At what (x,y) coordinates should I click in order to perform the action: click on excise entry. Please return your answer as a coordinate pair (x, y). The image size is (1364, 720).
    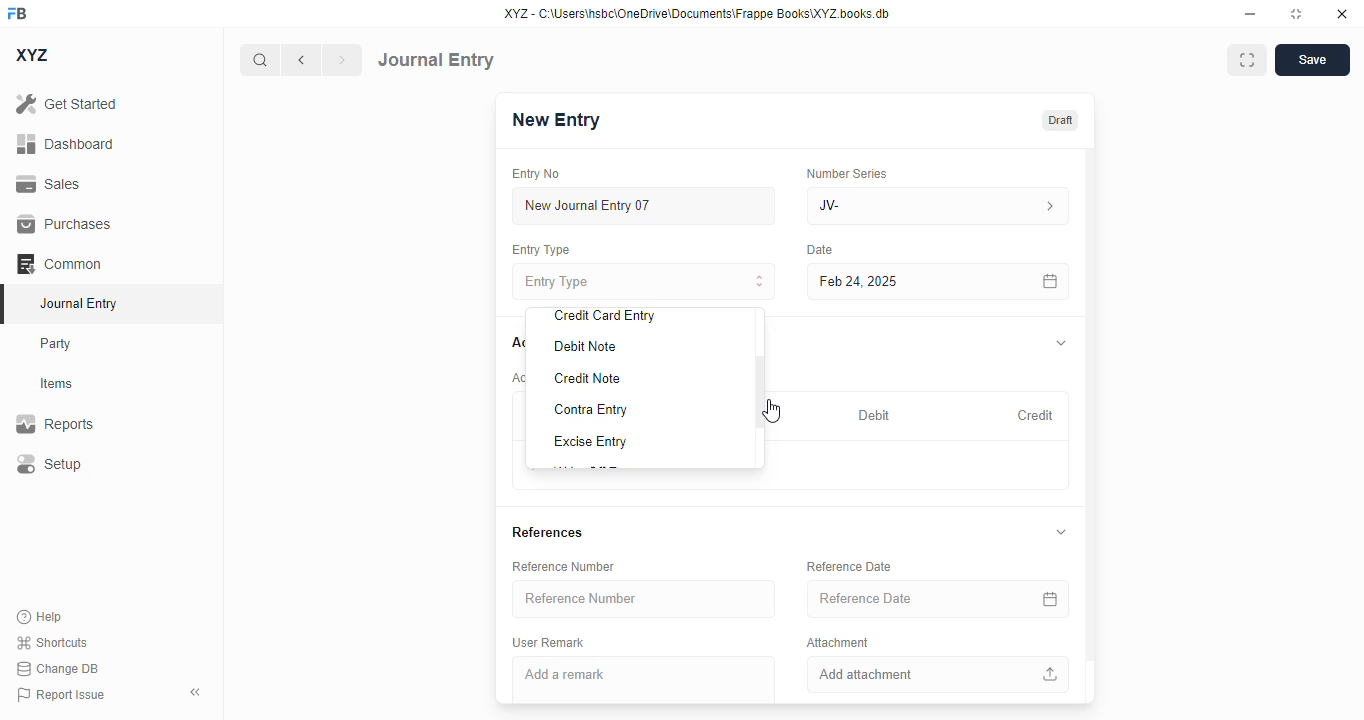
    Looking at the image, I should click on (590, 442).